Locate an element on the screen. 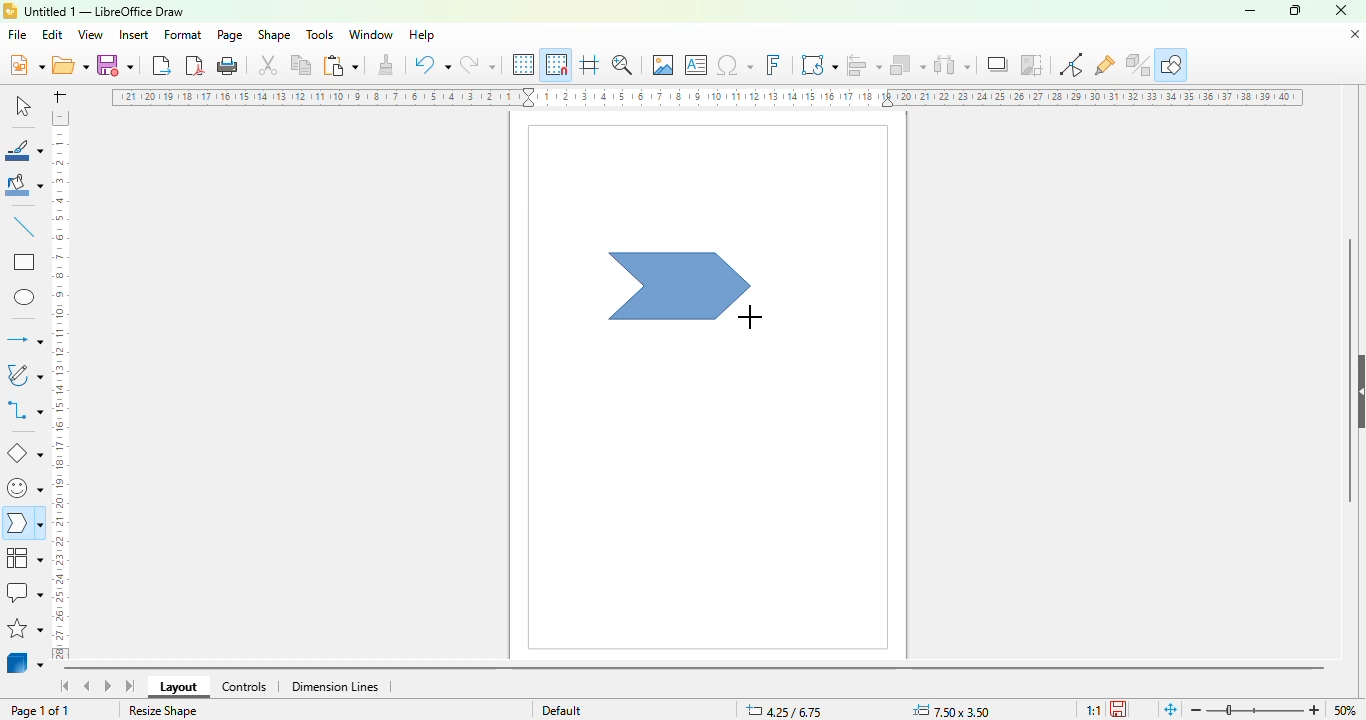 Image resolution: width=1366 pixels, height=720 pixels. align objects is located at coordinates (864, 65).